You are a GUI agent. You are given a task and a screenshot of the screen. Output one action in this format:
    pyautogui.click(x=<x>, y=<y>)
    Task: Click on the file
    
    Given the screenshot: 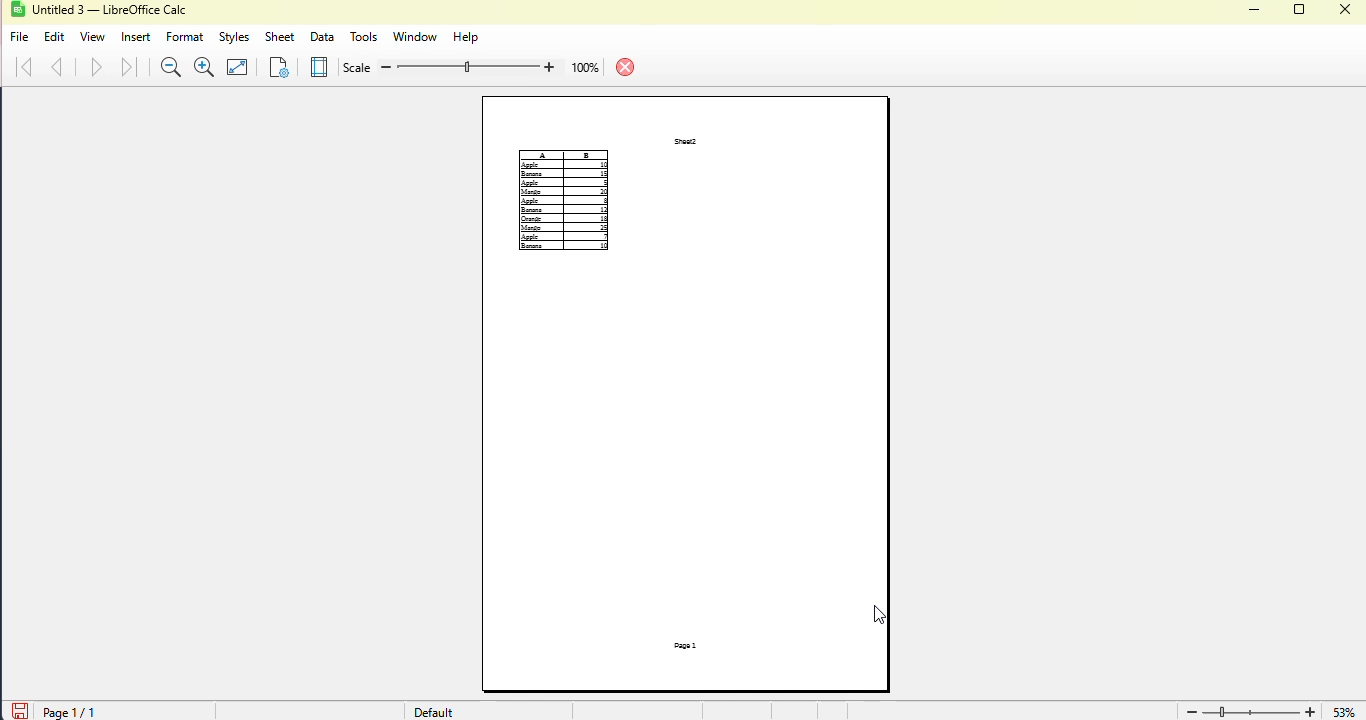 What is the action you would take?
    pyautogui.click(x=20, y=38)
    